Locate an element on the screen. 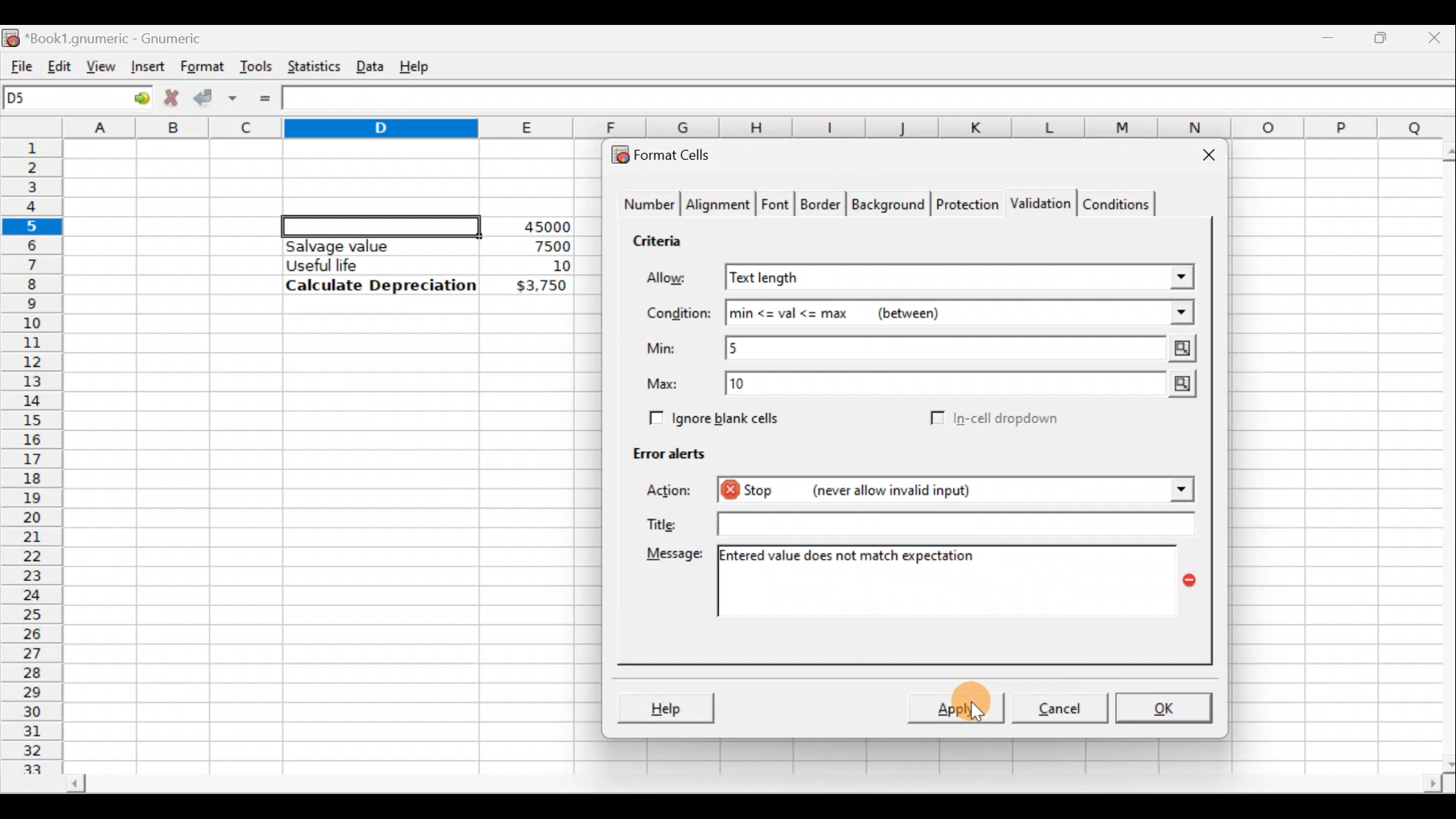  Salvage value is located at coordinates (367, 246).